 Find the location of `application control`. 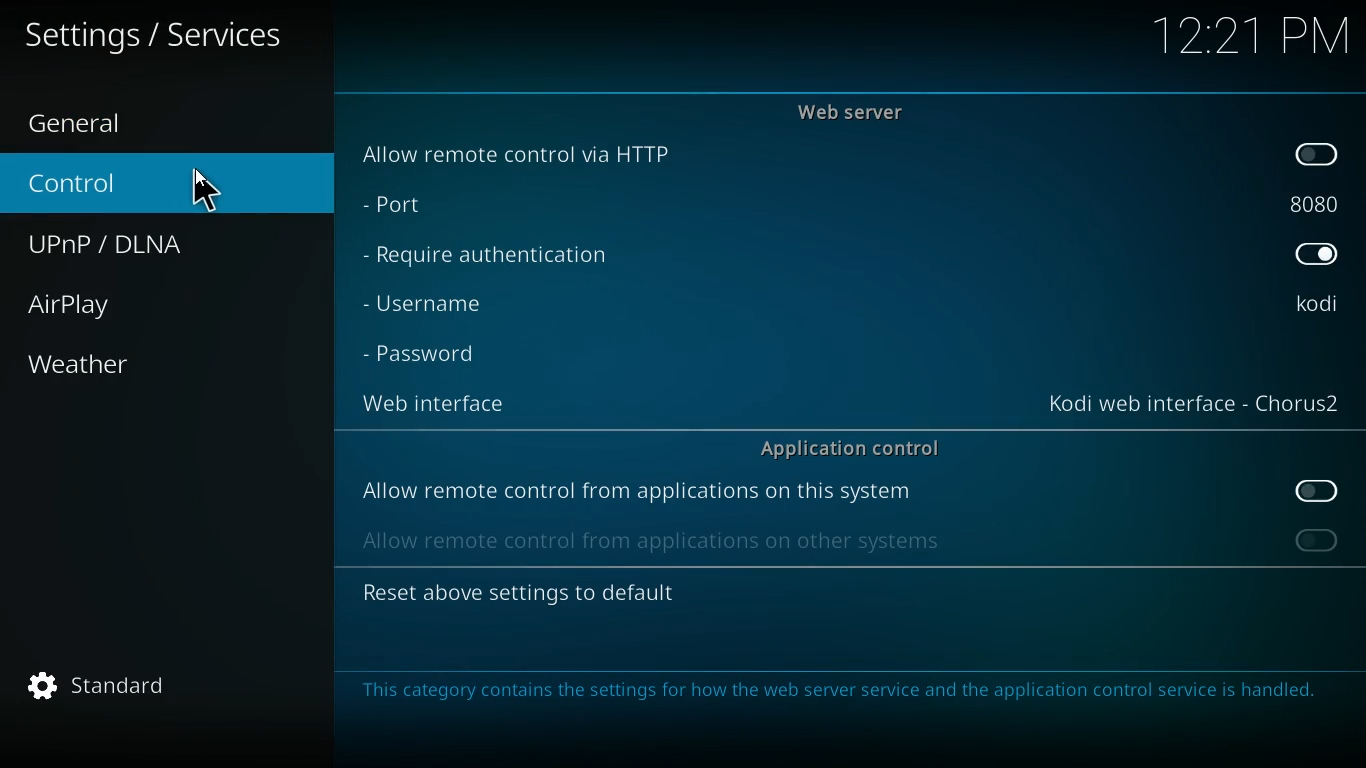

application control is located at coordinates (850, 448).